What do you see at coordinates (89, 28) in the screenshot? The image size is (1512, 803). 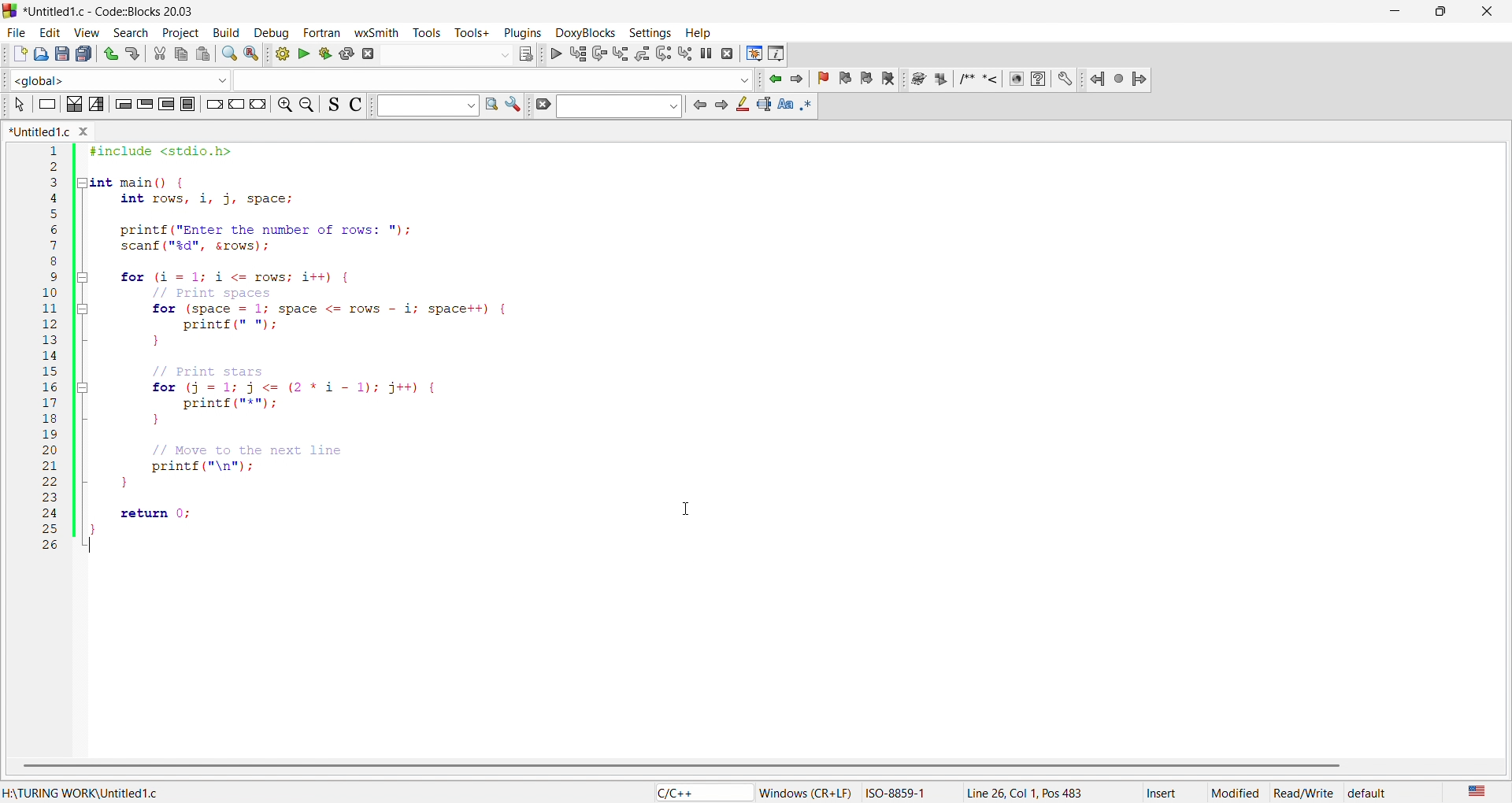 I see `view` at bounding box center [89, 28].